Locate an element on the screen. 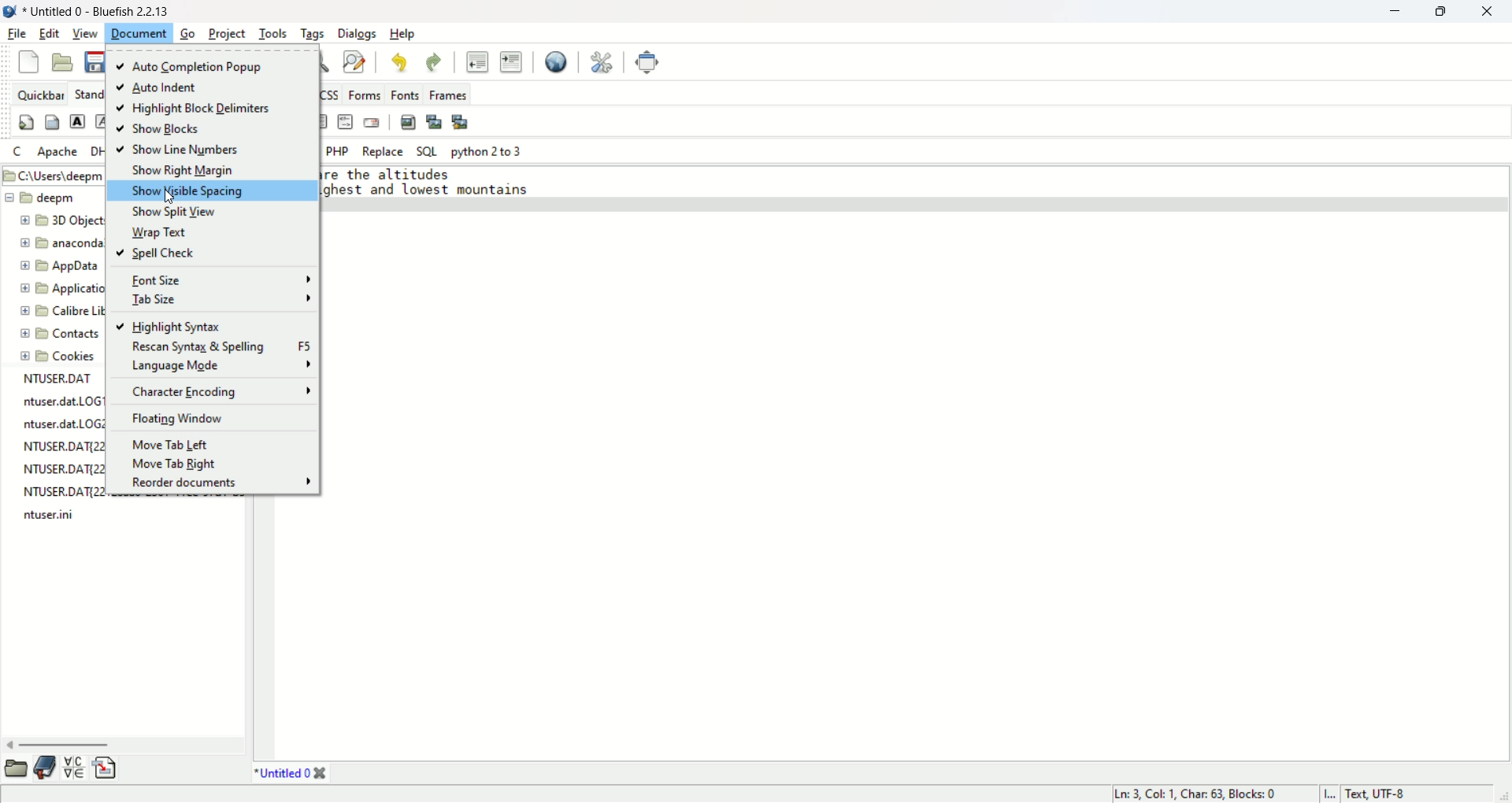  DHTML is located at coordinates (96, 153).